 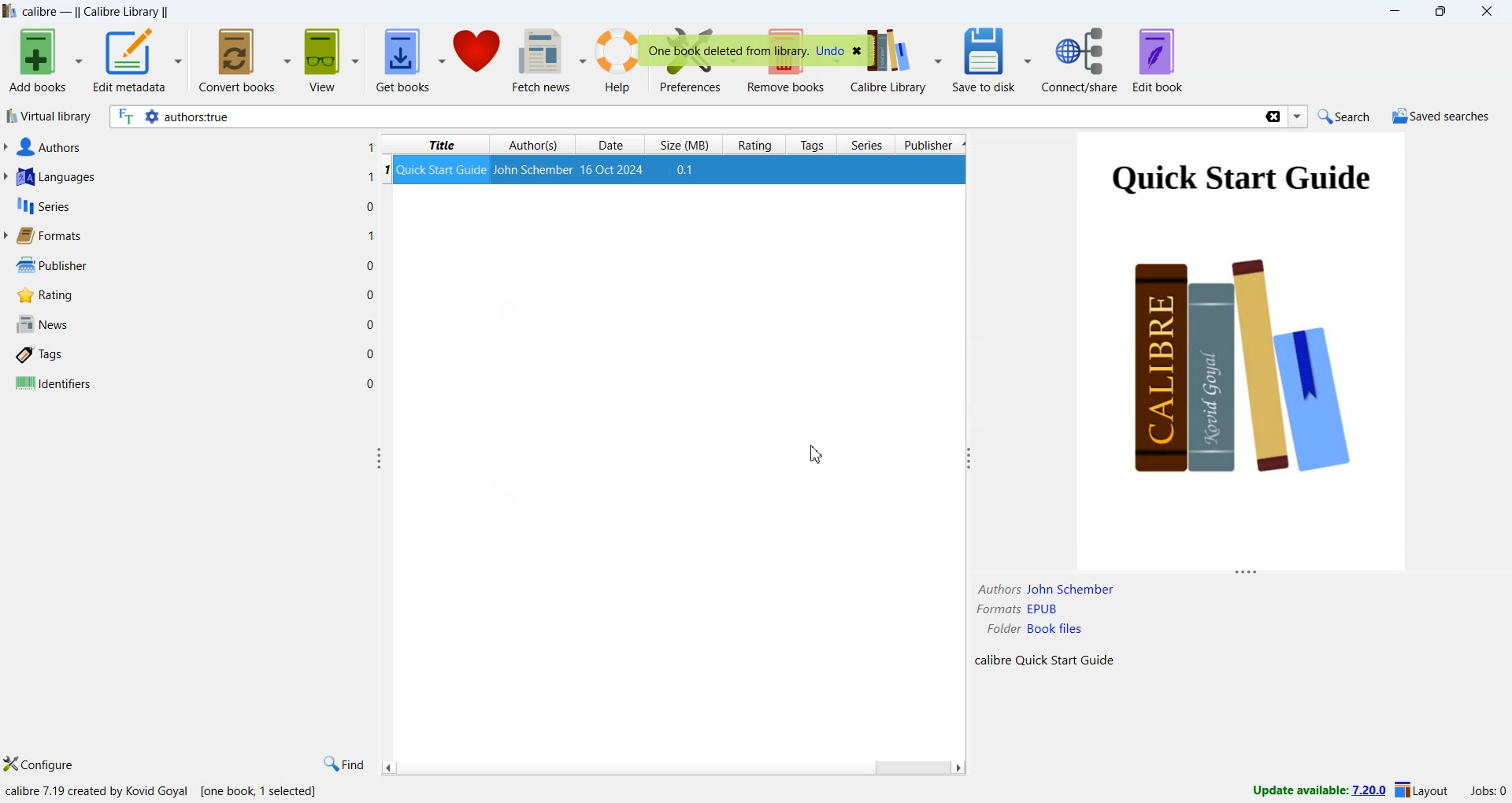 I want to click on tags, so click(x=814, y=145).